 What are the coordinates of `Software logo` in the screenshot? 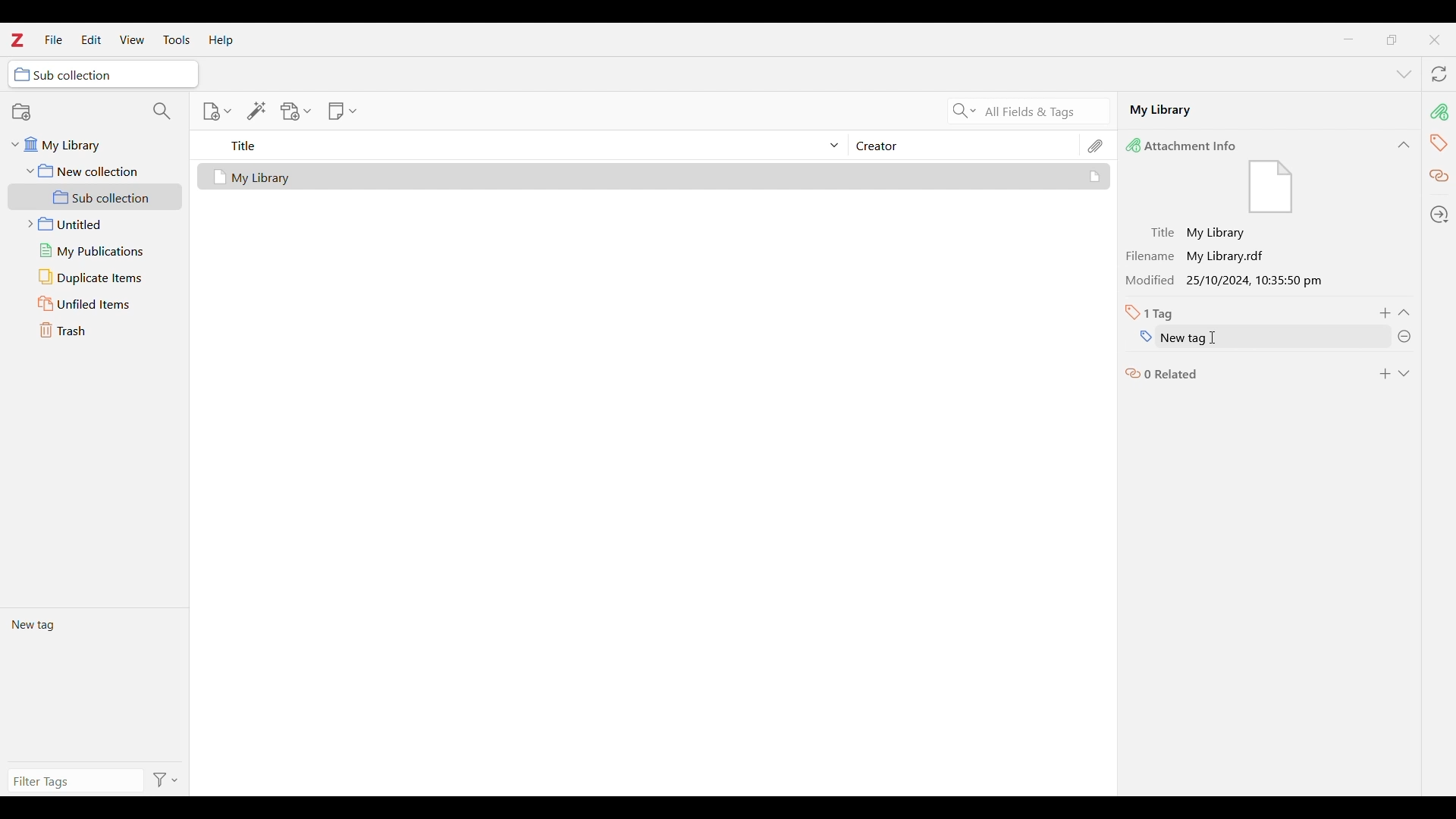 It's located at (16, 39).